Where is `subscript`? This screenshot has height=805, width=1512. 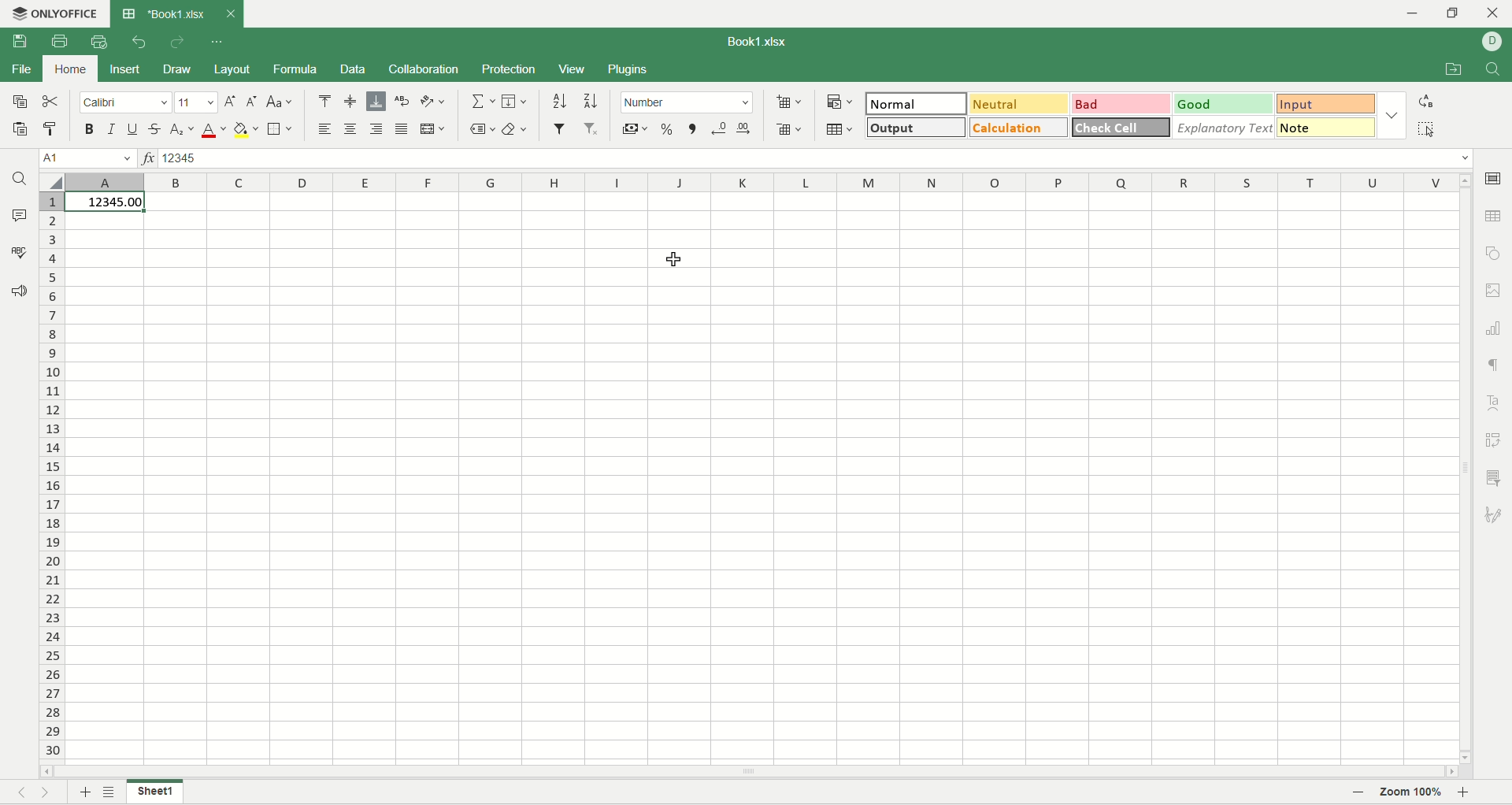
subscript is located at coordinates (181, 130).